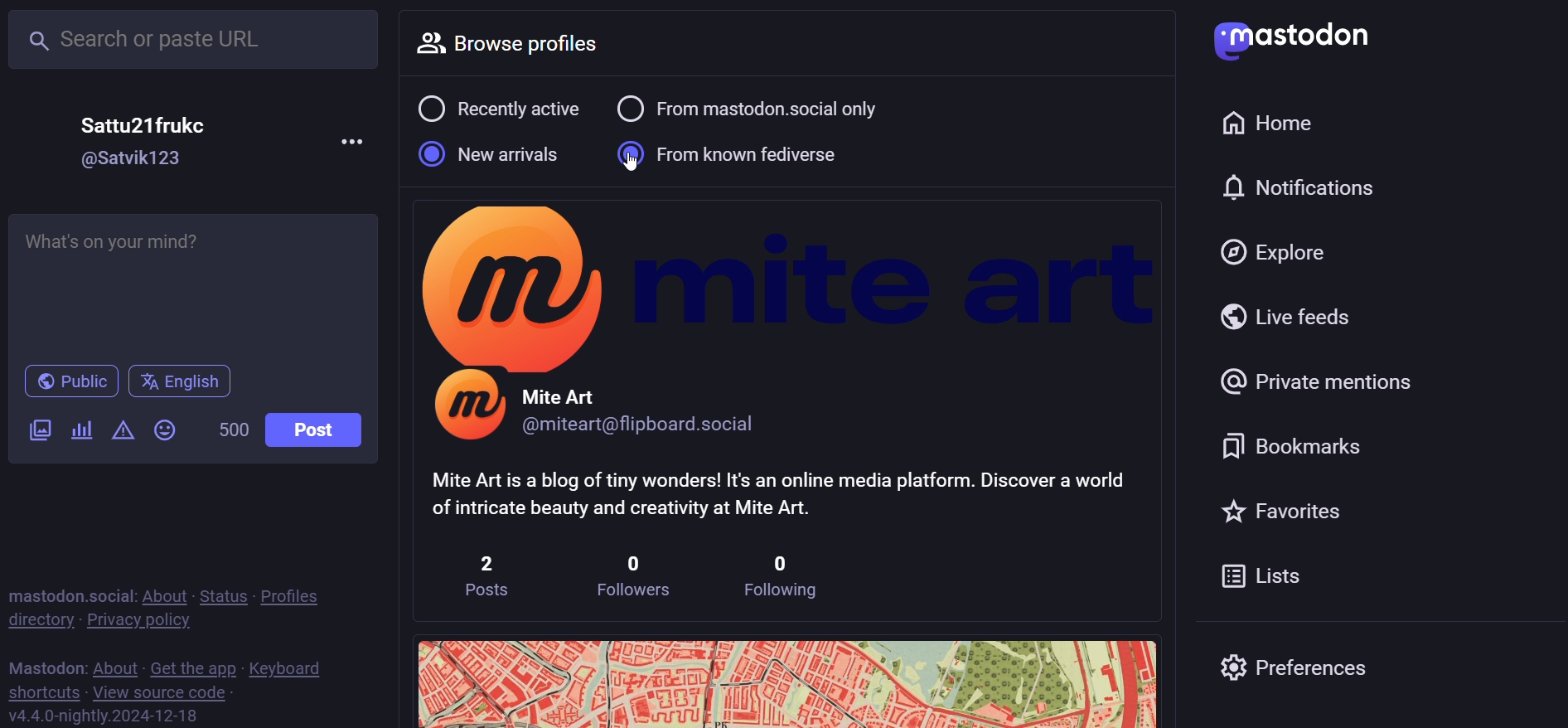 This screenshot has width=1568, height=728. What do you see at coordinates (192, 40) in the screenshot?
I see `Search or paste URL` at bounding box center [192, 40].